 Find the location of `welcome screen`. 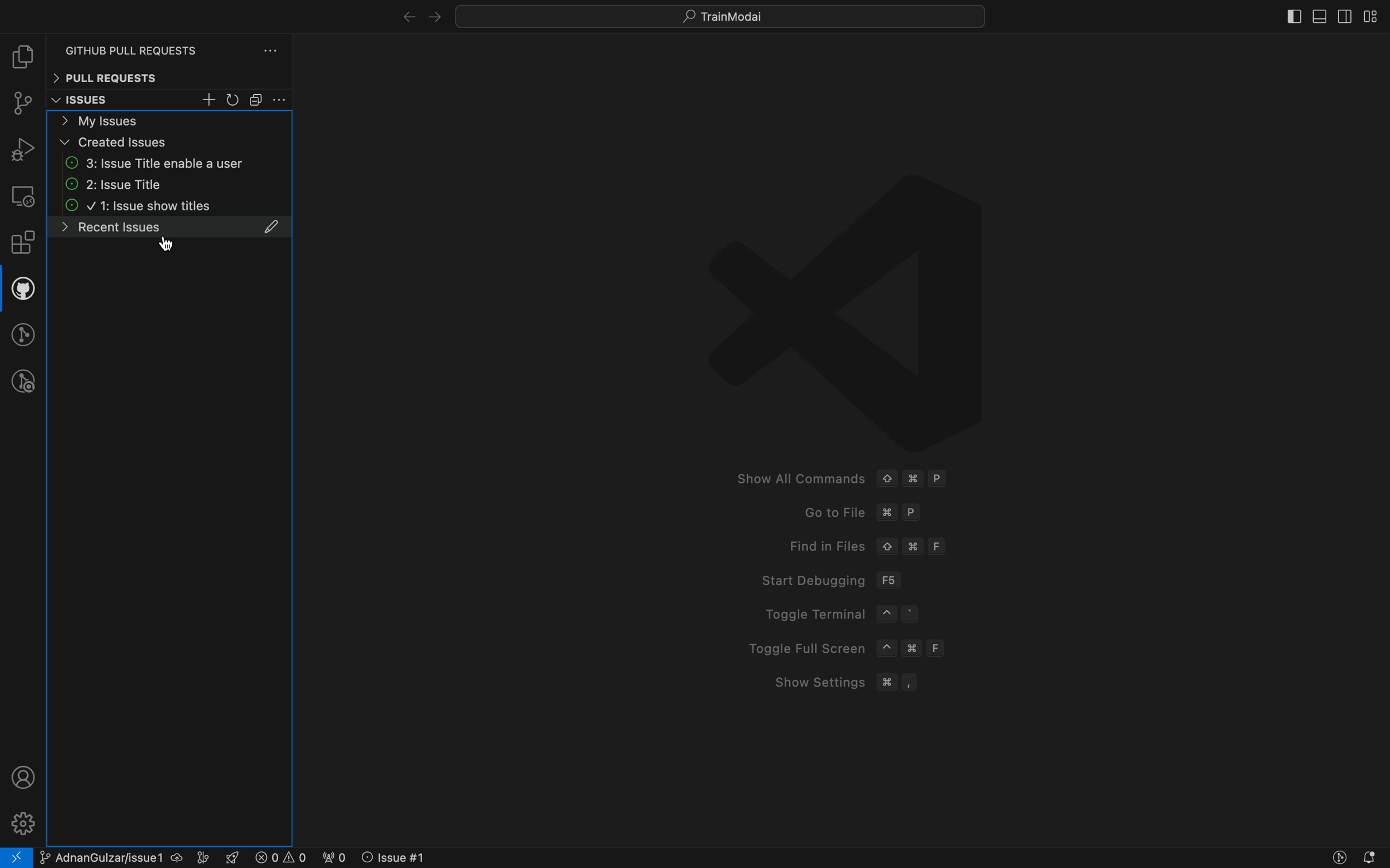

welcome screen is located at coordinates (849, 437).